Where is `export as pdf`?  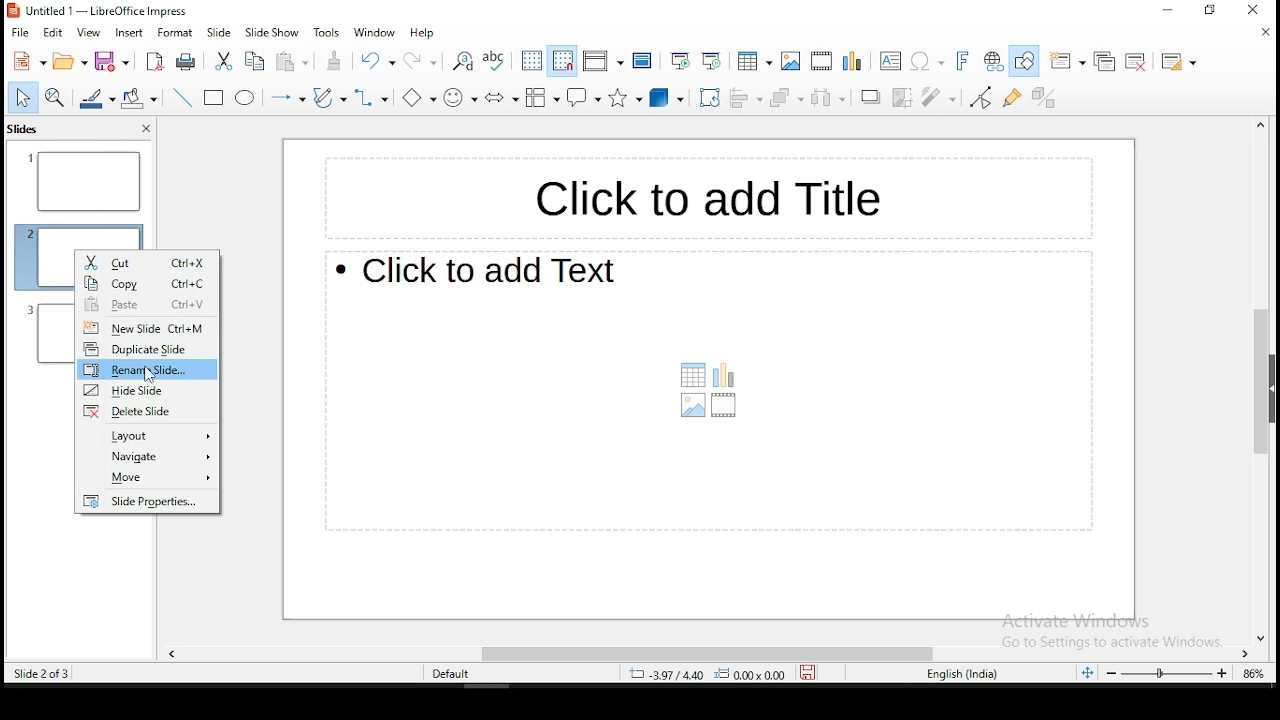 export as pdf is located at coordinates (156, 64).